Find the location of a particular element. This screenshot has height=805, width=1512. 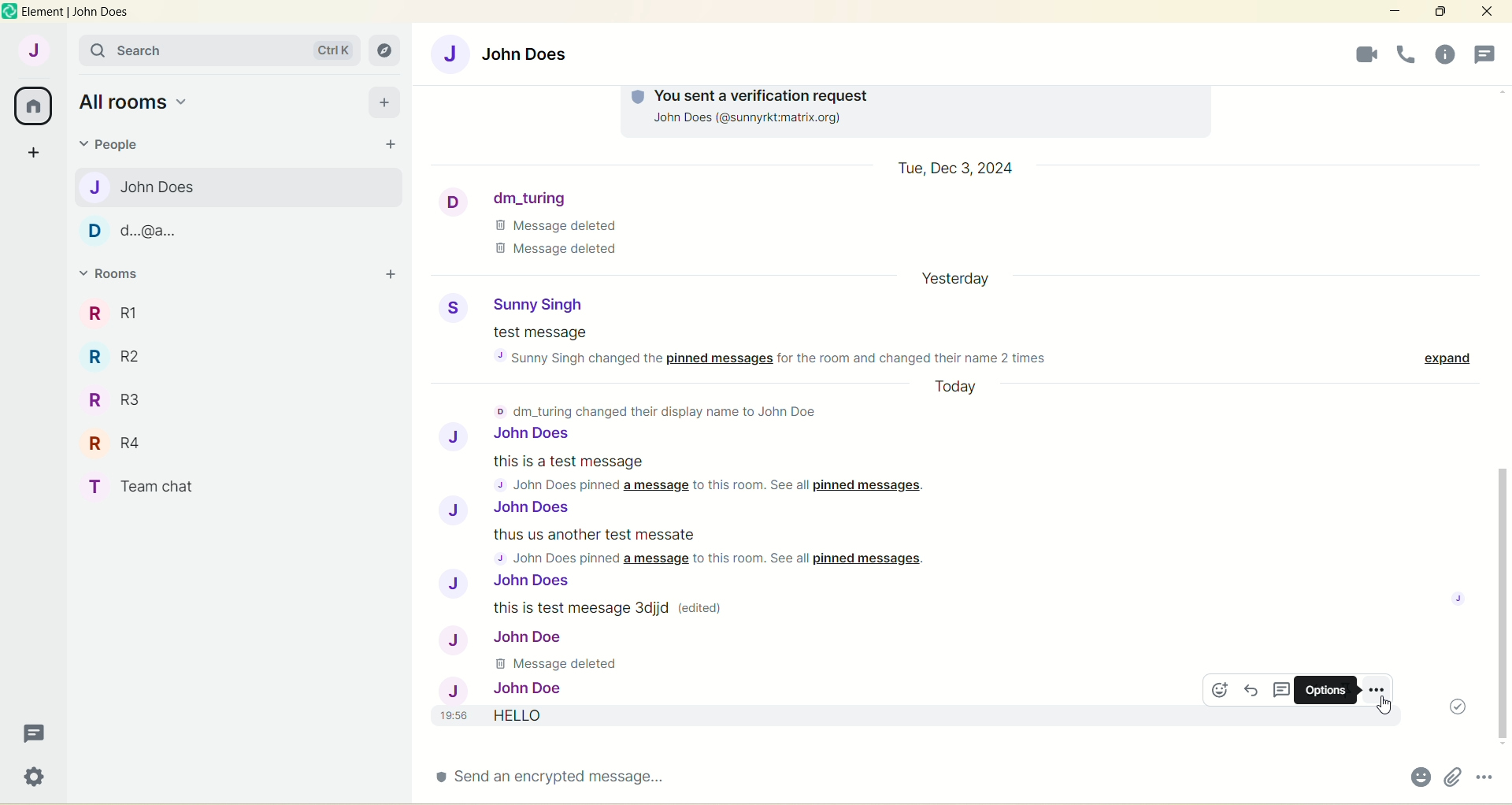

Today is located at coordinates (963, 389).